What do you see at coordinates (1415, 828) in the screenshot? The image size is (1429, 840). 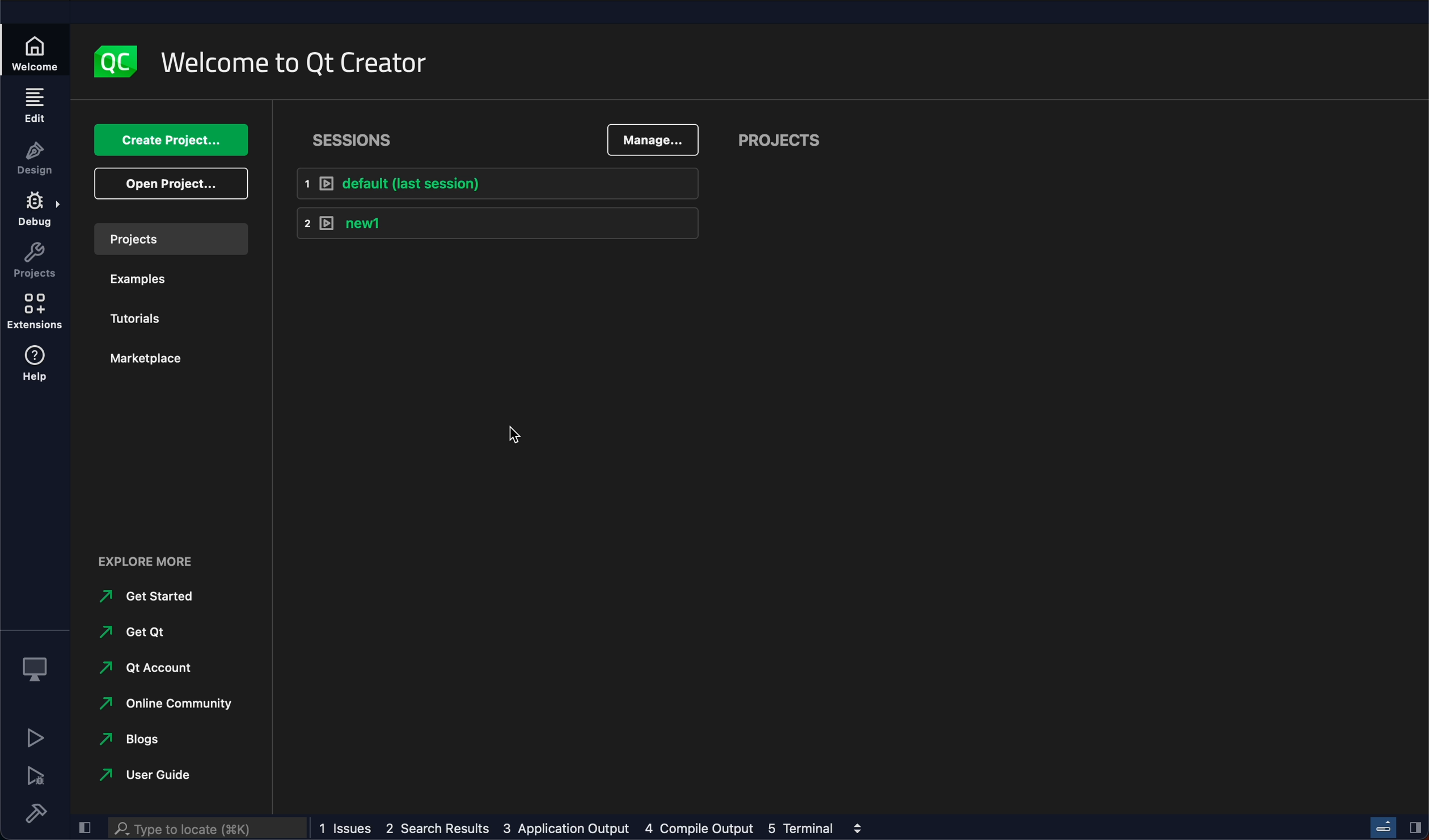 I see `close slidebar` at bounding box center [1415, 828].